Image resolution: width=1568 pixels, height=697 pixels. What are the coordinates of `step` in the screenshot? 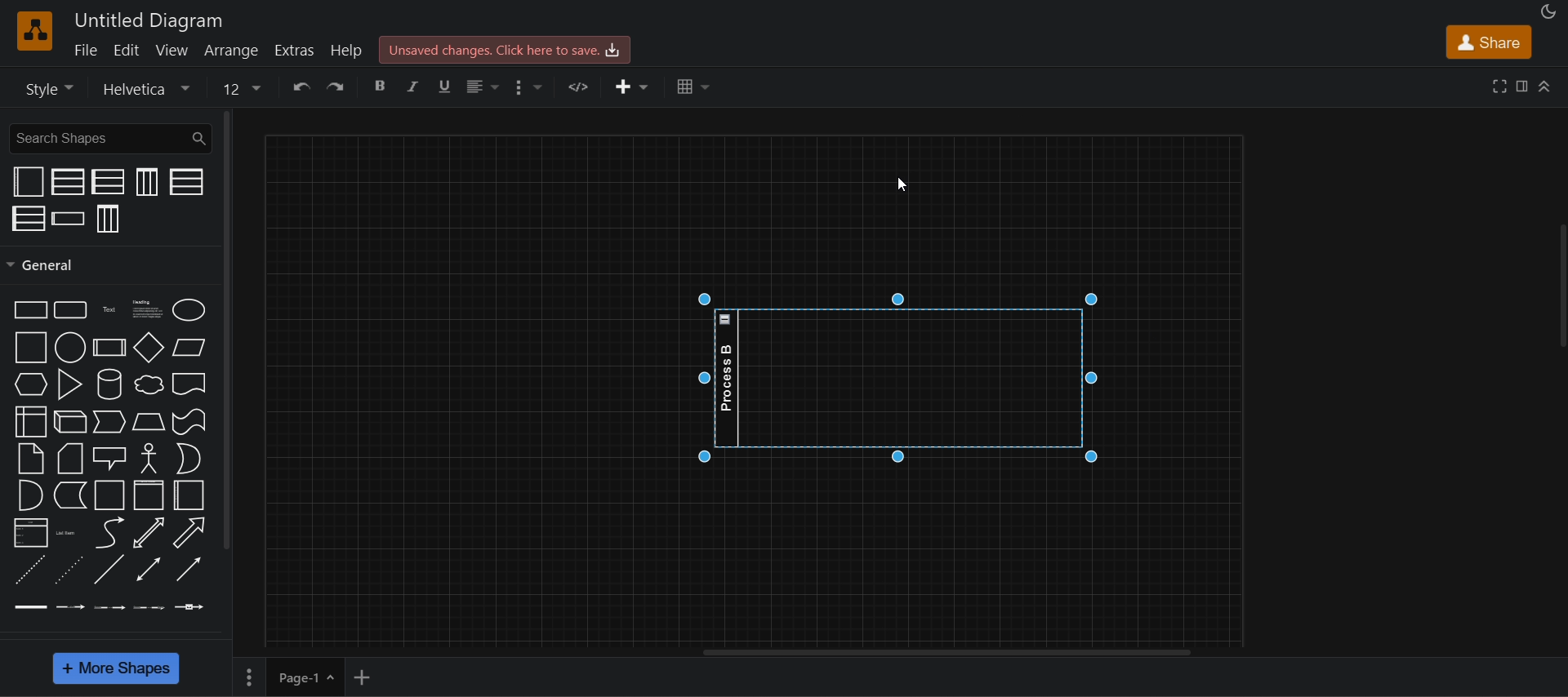 It's located at (109, 422).